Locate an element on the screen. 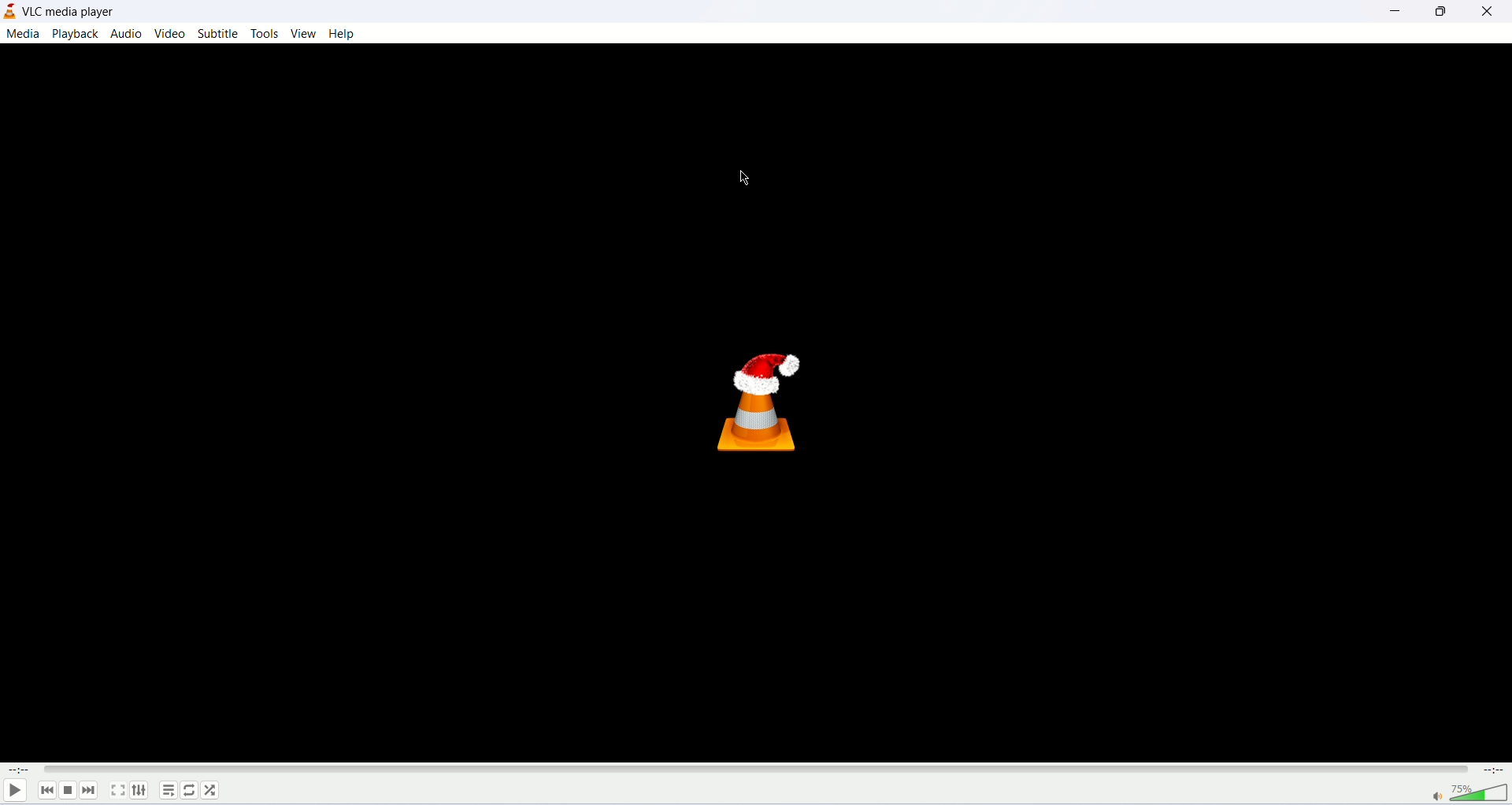 The height and width of the screenshot is (805, 1512). title is located at coordinates (68, 13).